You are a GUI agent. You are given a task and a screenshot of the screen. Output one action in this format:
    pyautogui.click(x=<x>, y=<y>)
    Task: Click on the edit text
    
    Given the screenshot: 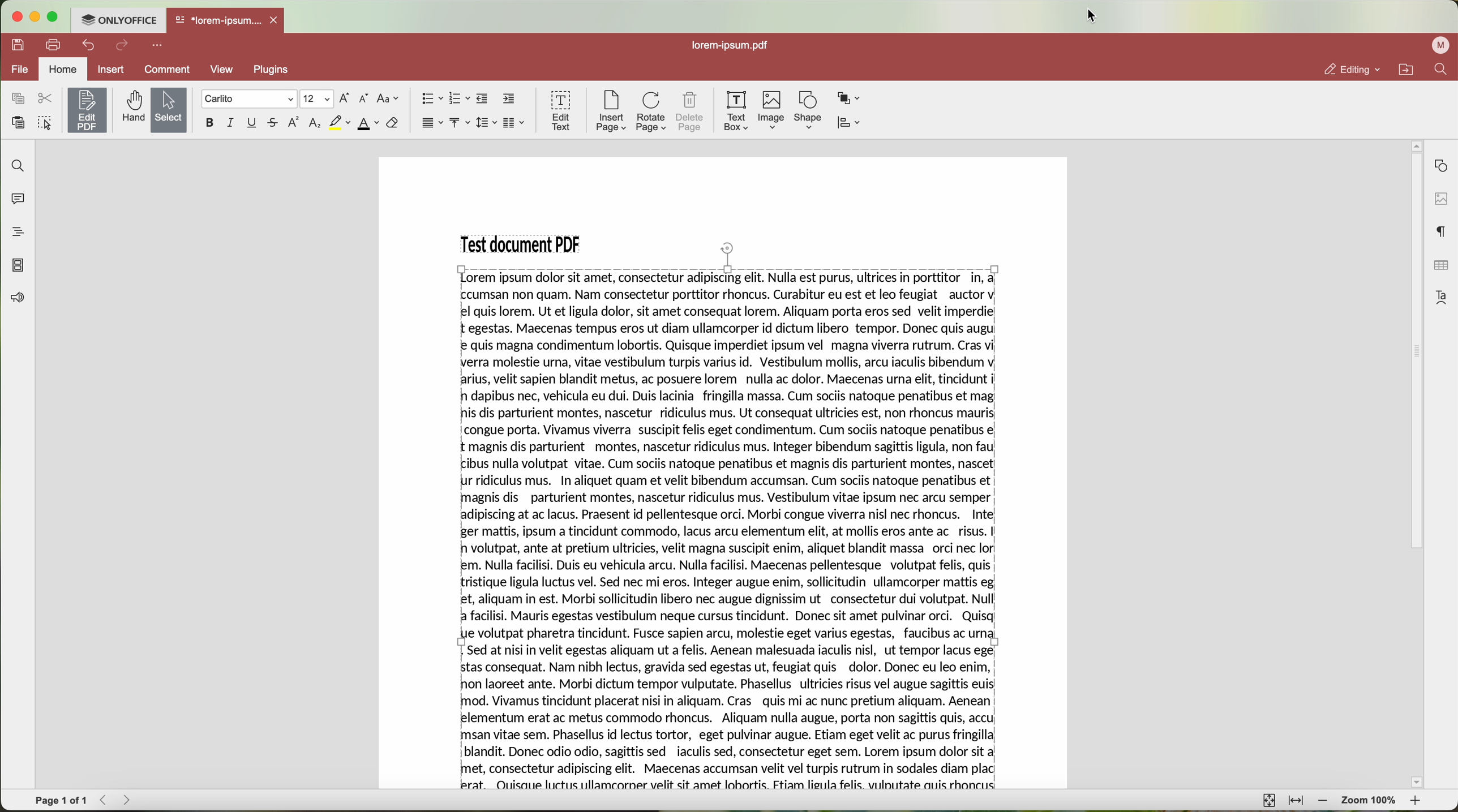 What is the action you would take?
    pyautogui.click(x=561, y=111)
    